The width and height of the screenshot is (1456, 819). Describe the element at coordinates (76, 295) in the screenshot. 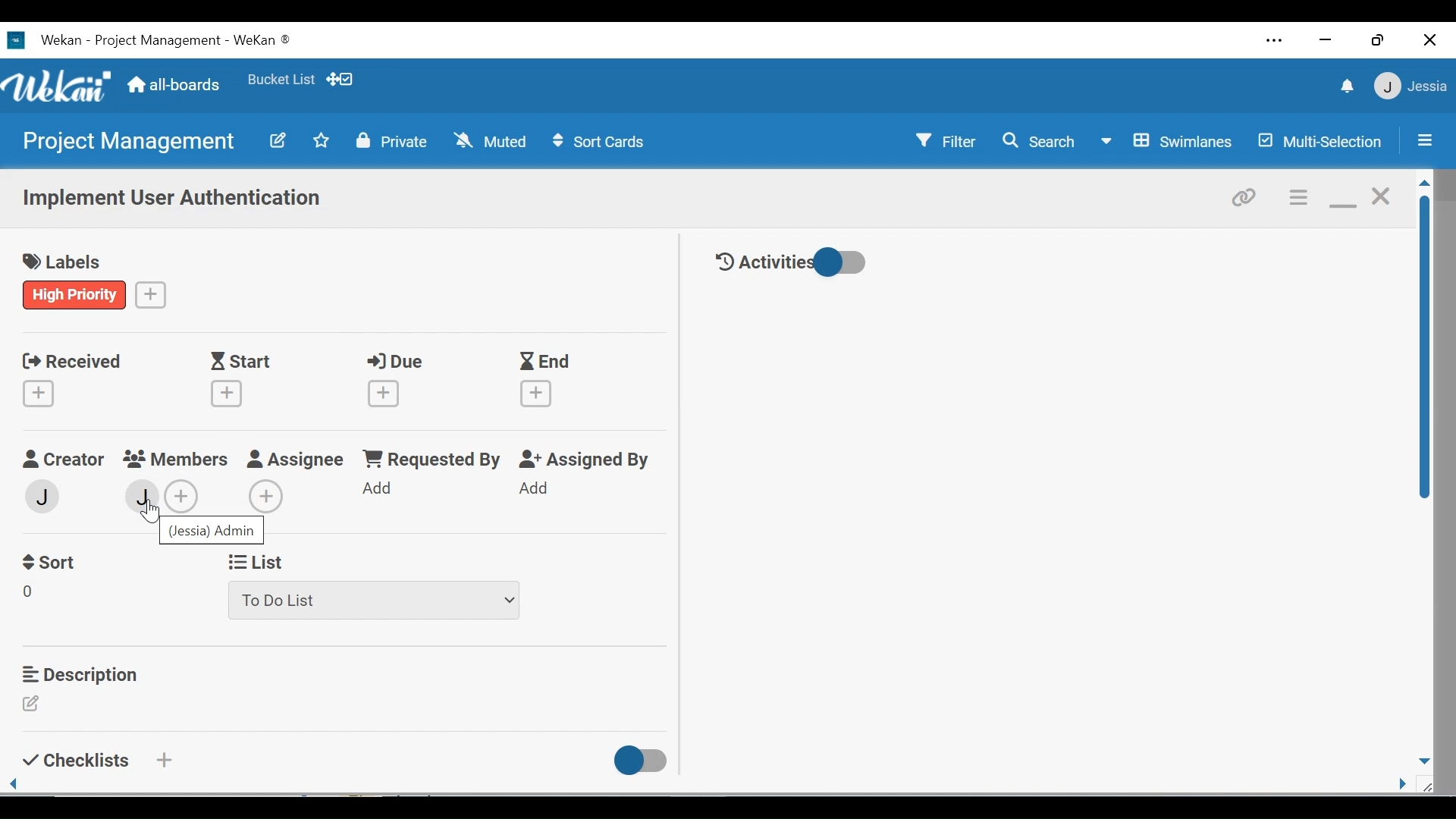

I see `High Priority` at that location.